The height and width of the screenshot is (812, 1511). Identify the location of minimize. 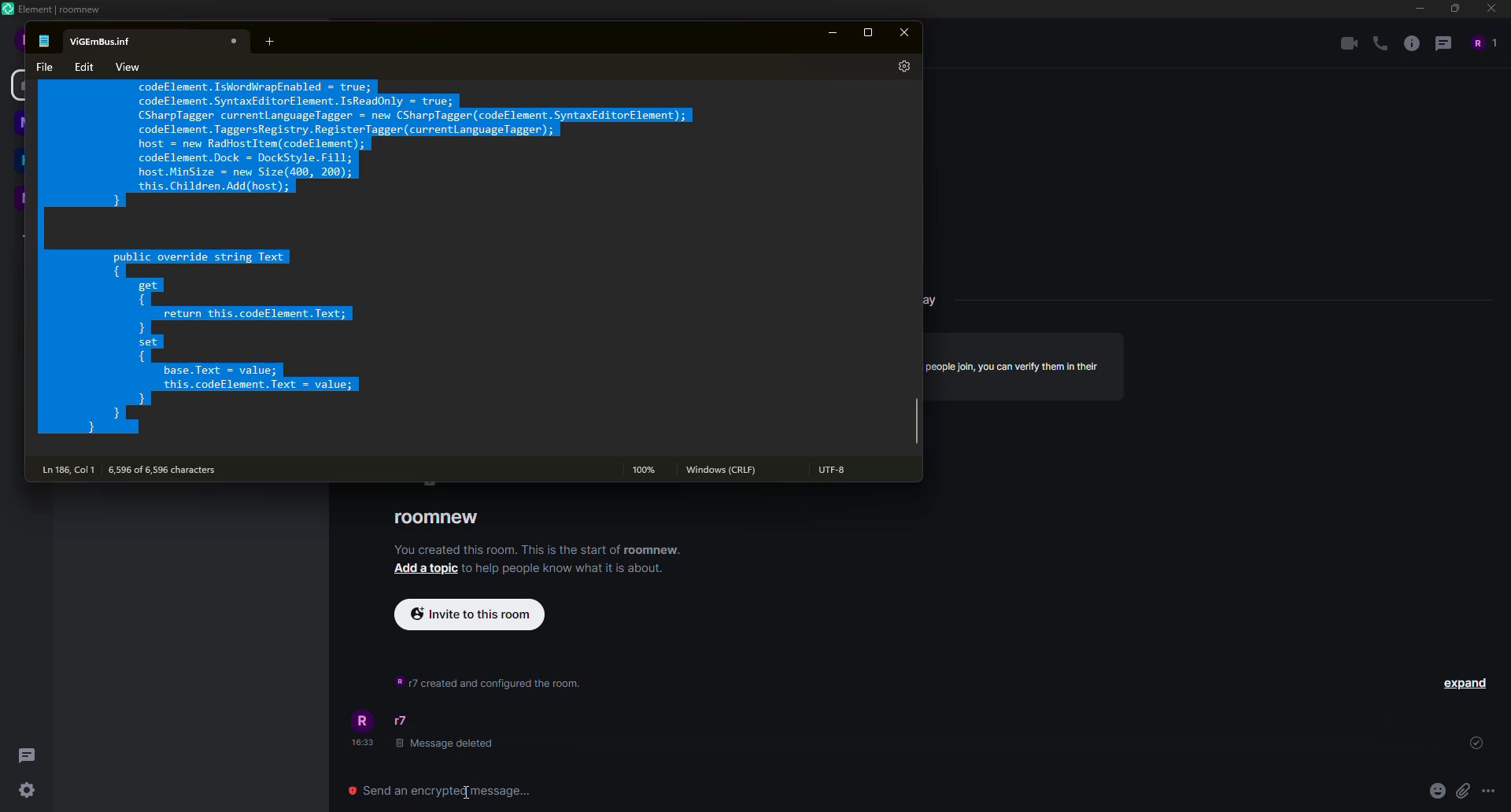
(834, 32).